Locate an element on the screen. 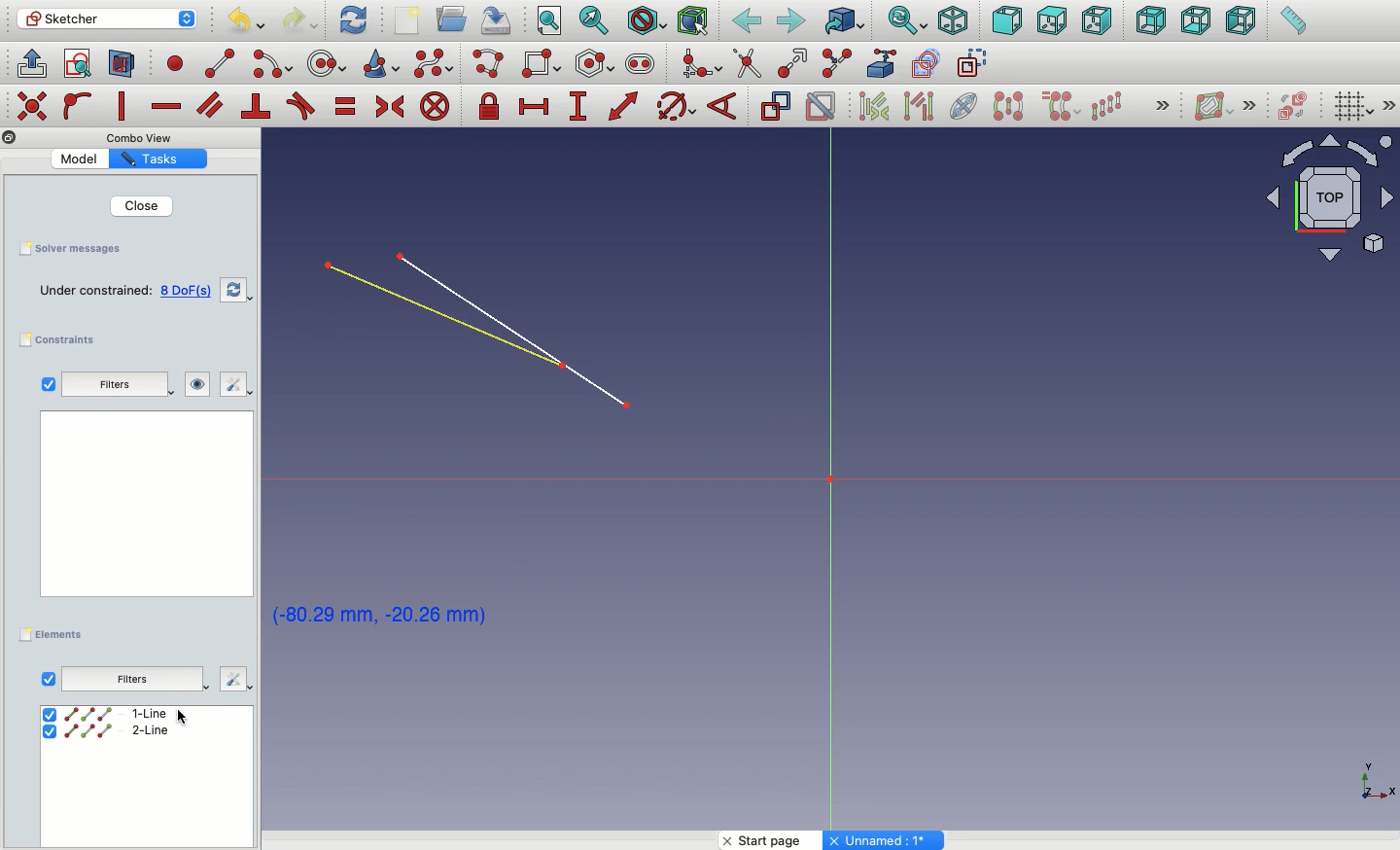 Image resolution: width=1400 pixels, height=850 pixels. Edit is located at coordinates (234, 385).